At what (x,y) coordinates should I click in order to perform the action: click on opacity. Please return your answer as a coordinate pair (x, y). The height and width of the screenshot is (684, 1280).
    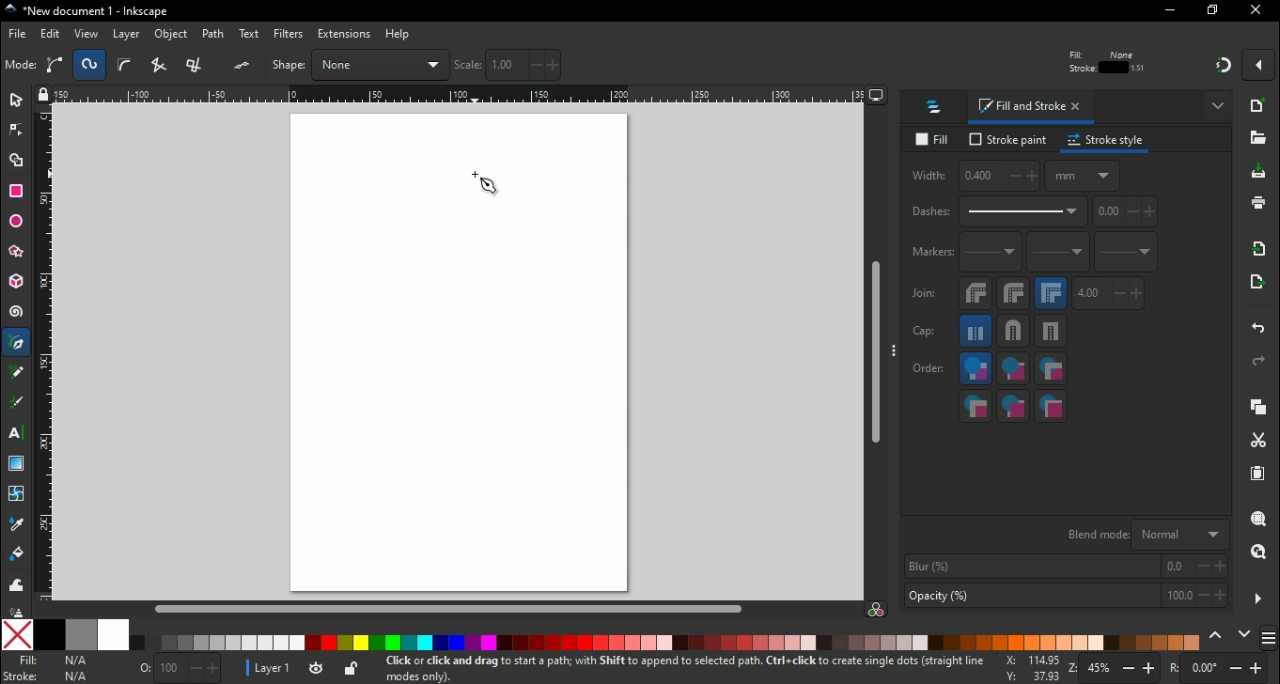
    Looking at the image, I should click on (179, 666).